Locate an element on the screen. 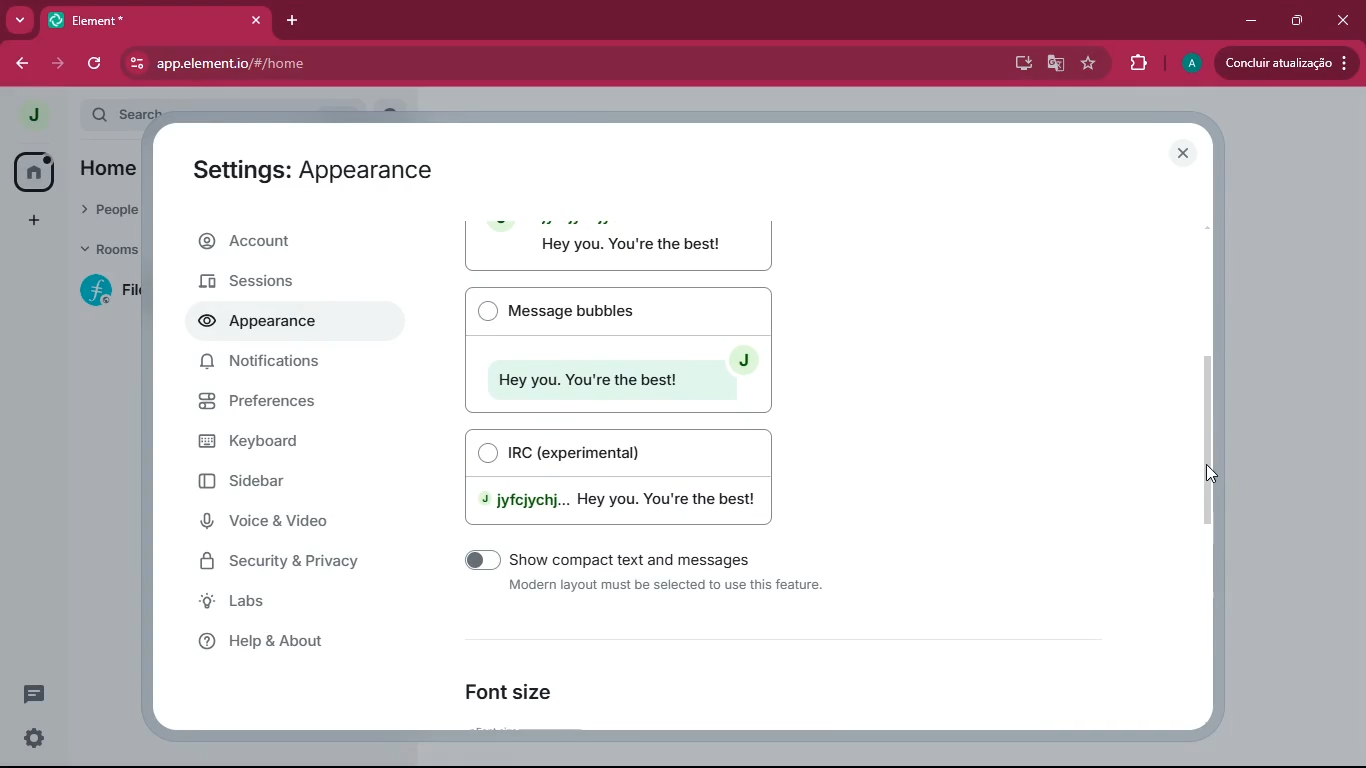 Image resolution: width=1366 pixels, height=768 pixels. show compact is located at coordinates (630, 577).